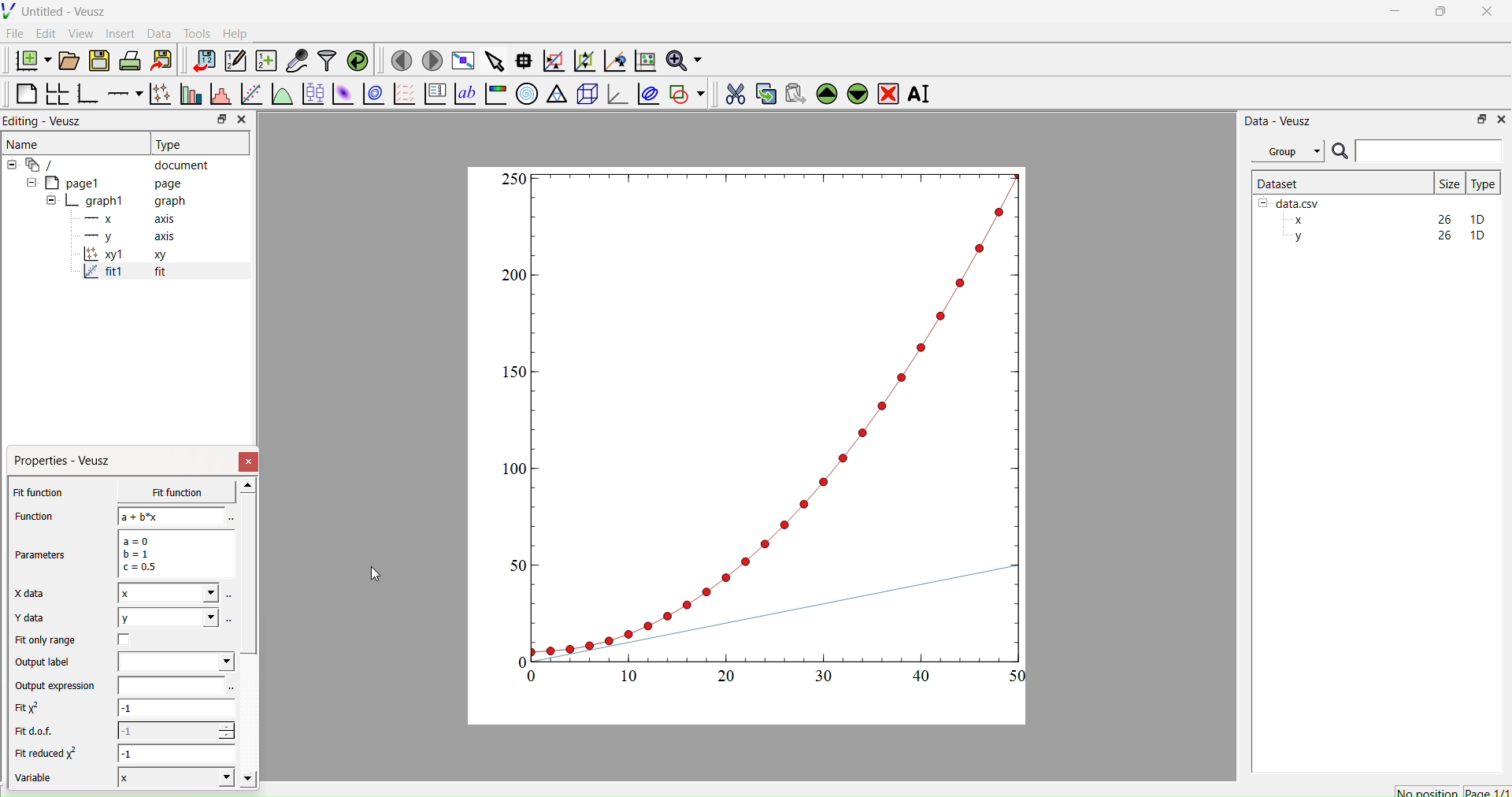  What do you see at coordinates (585, 91) in the screenshot?
I see `3d scene` at bounding box center [585, 91].